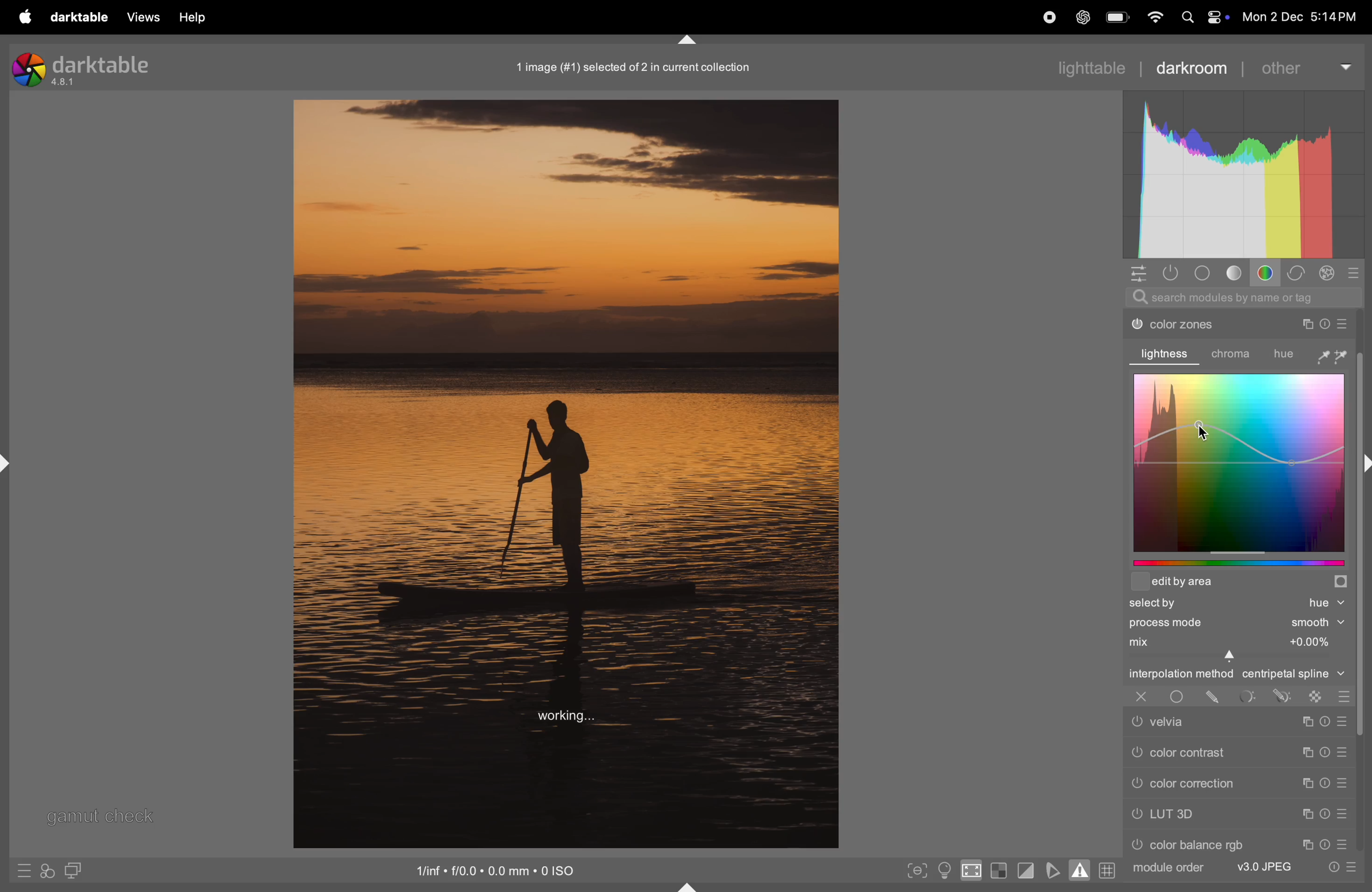  I want to click on , so click(1140, 271).